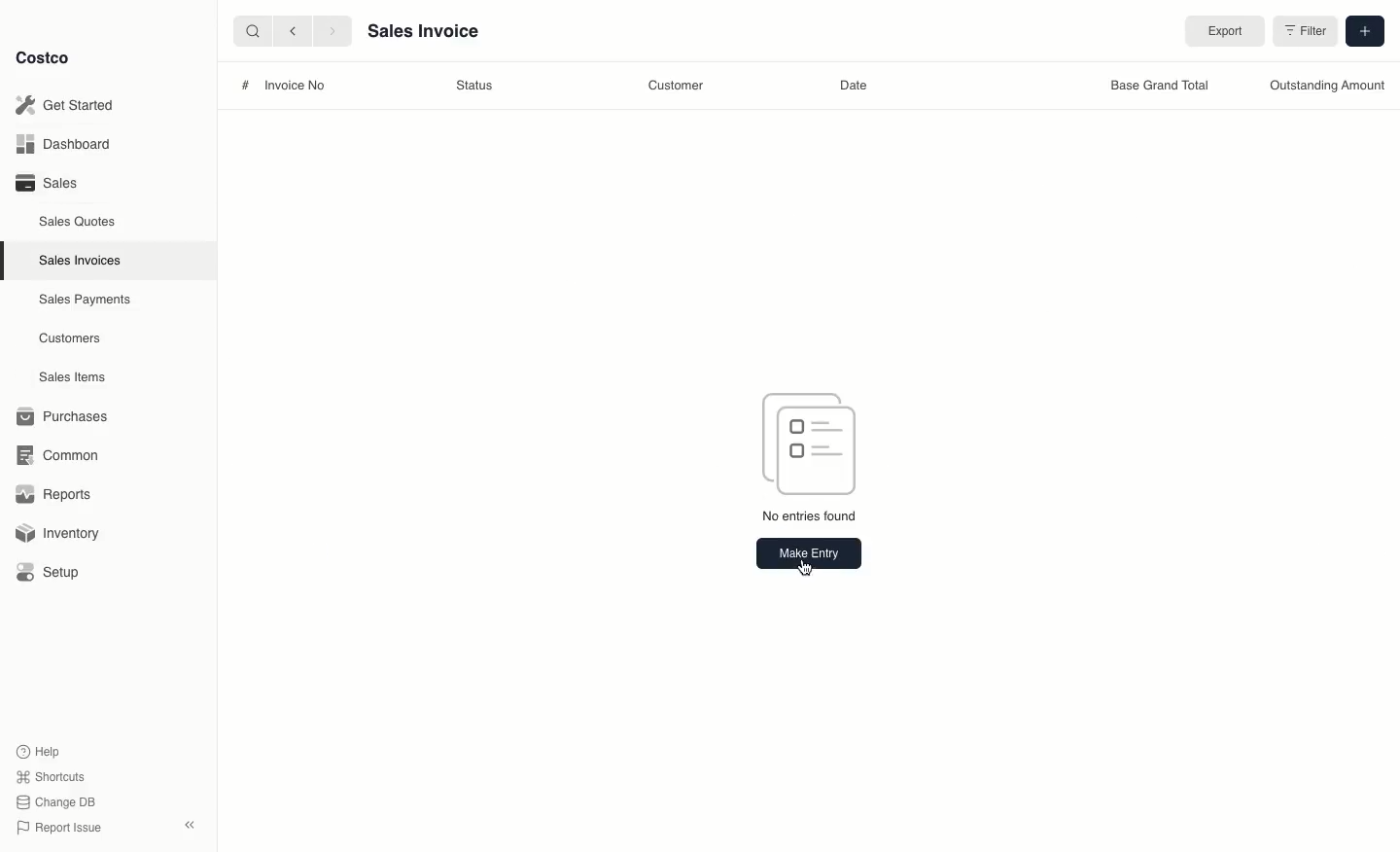  Describe the element at coordinates (55, 572) in the screenshot. I see `Setup` at that location.